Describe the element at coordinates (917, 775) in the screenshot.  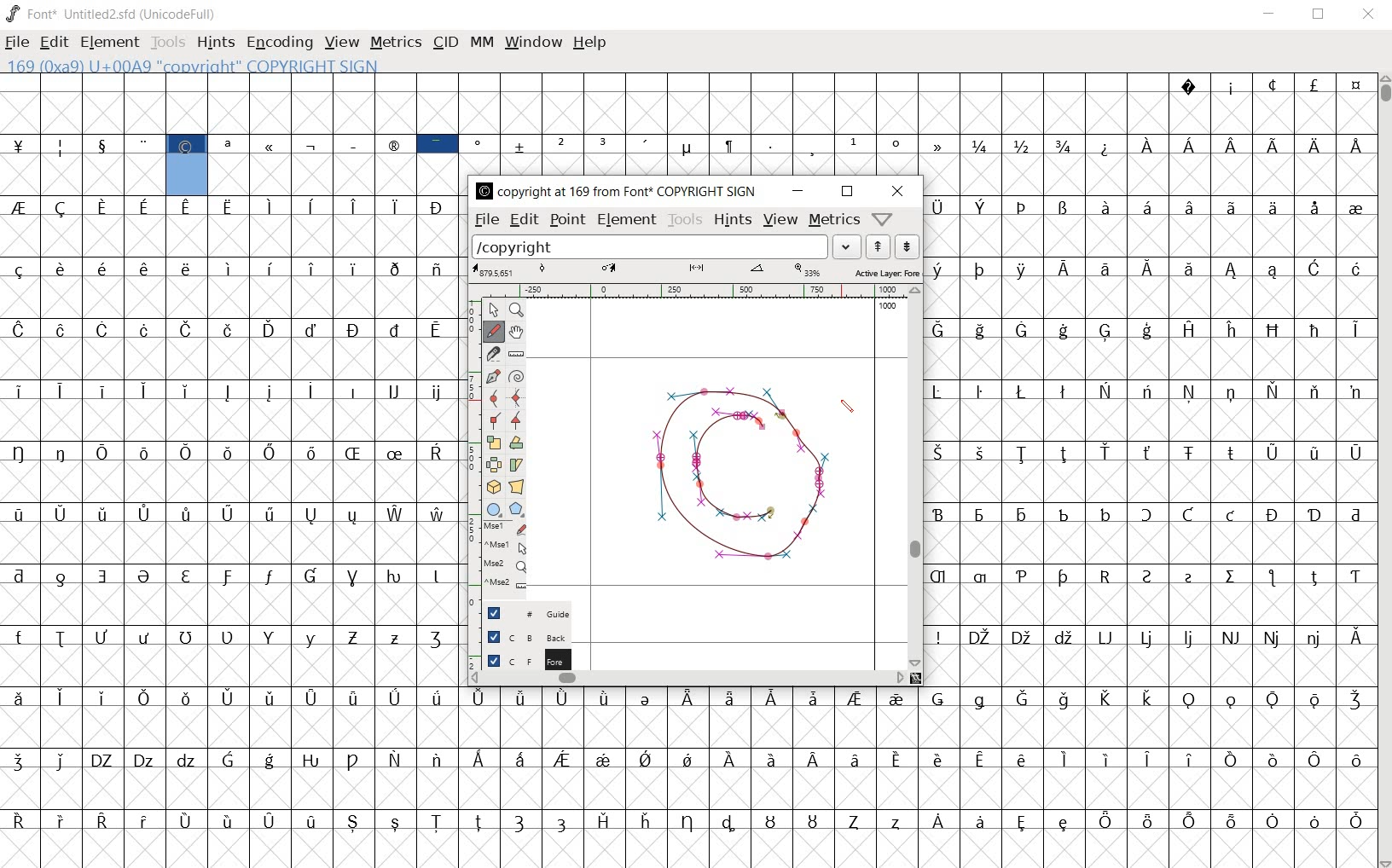
I see `glyph characters` at that location.